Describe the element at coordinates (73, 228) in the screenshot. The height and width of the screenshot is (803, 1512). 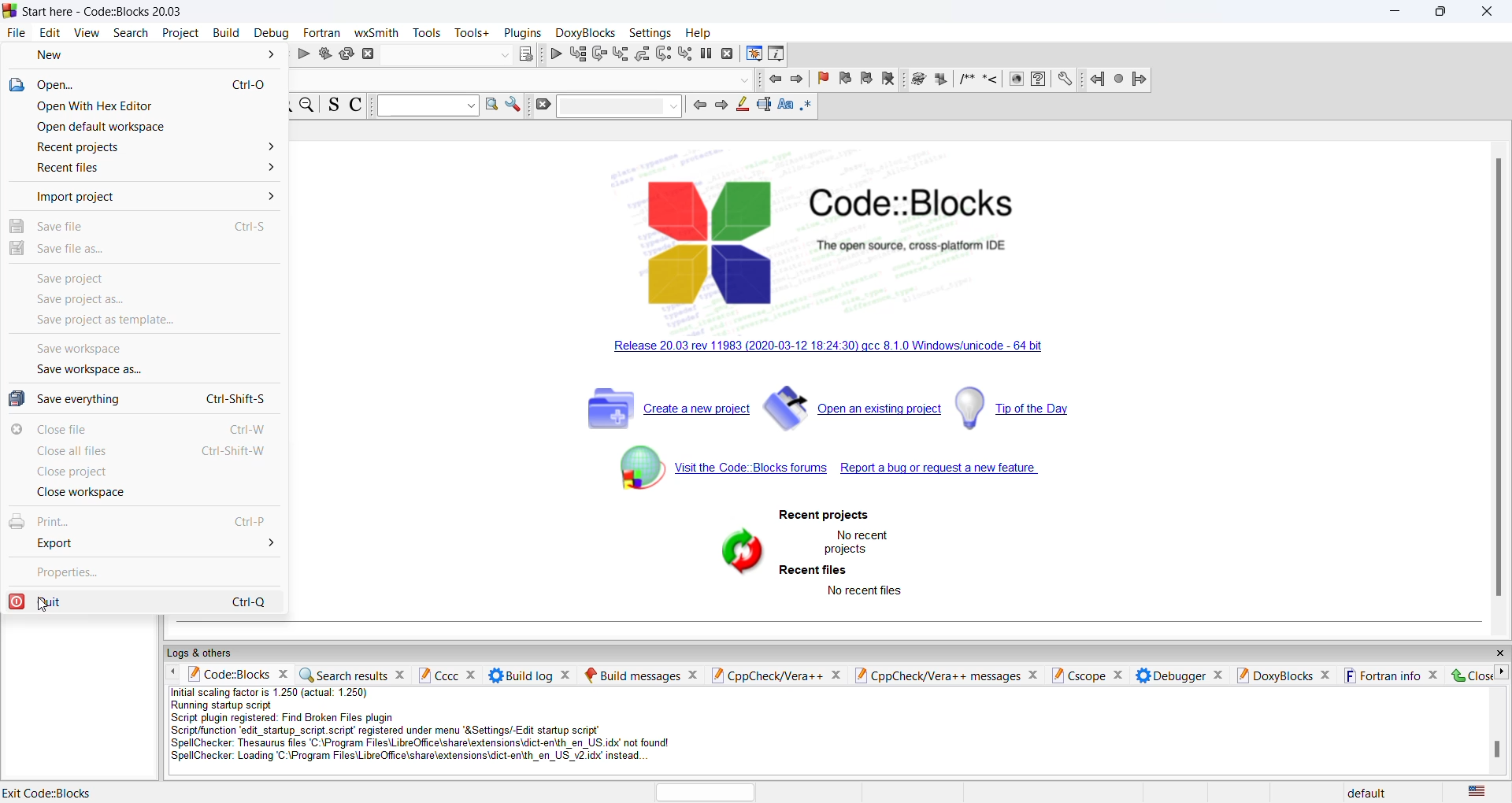
I see `Save file` at that location.